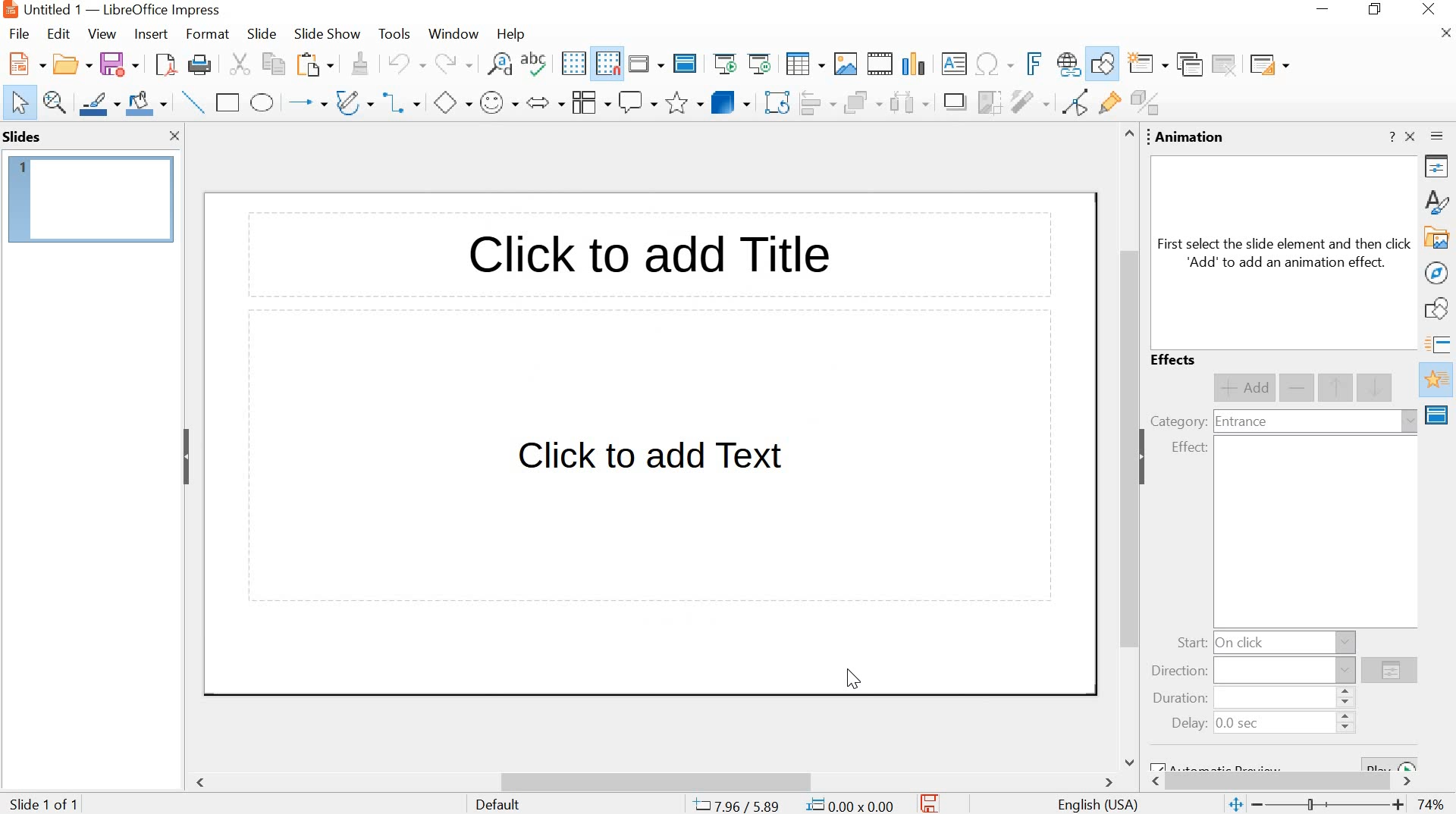 The image size is (1456, 814). Describe the element at coordinates (1188, 65) in the screenshot. I see `duplicate slide` at that location.